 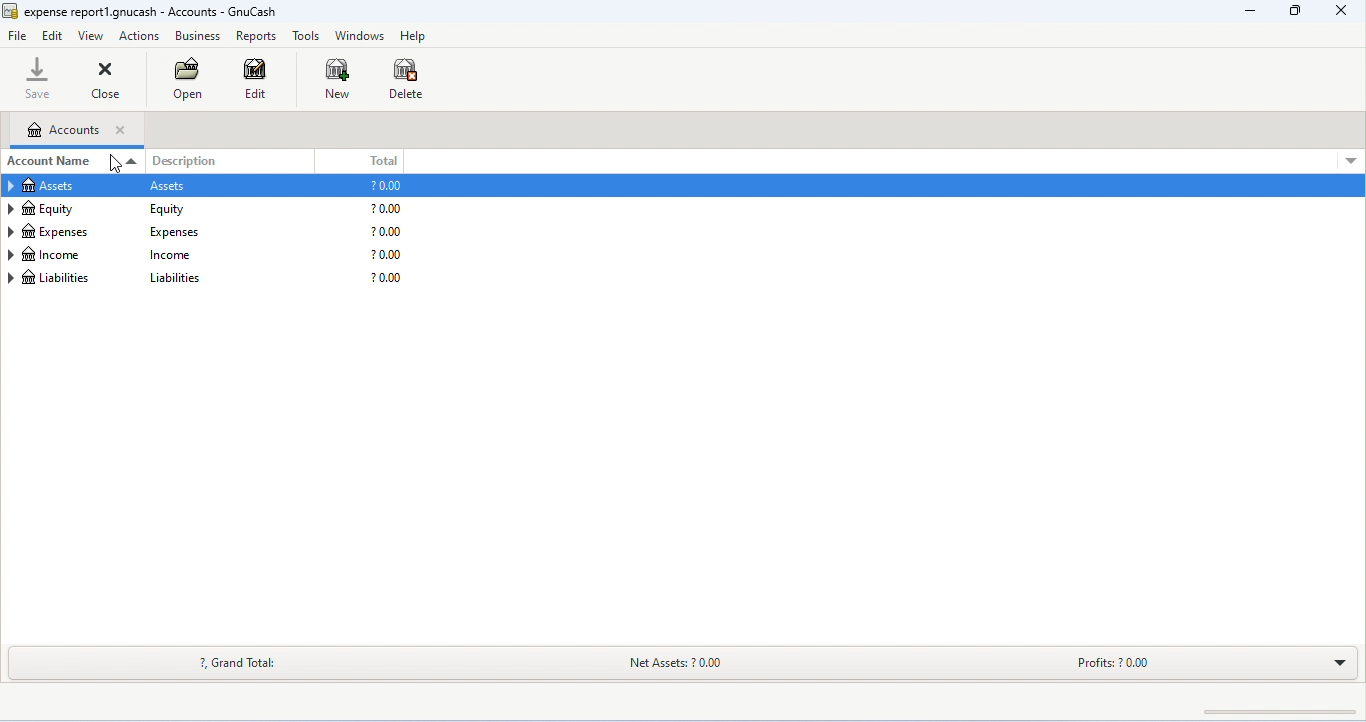 What do you see at coordinates (176, 255) in the screenshot?
I see `income description` at bounding box center [176, 255].